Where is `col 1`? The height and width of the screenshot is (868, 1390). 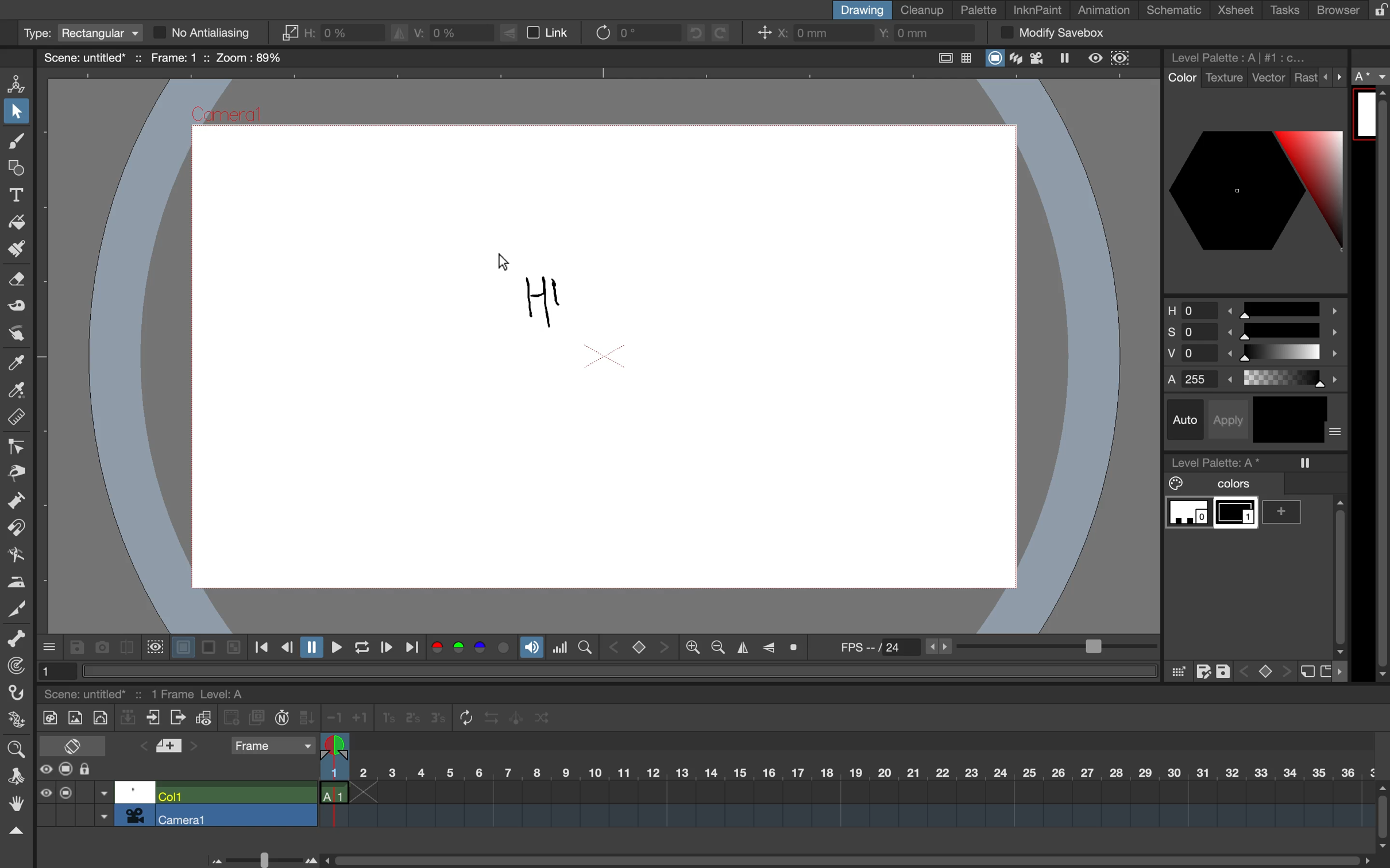 col 1 is located at coordinates (234, 795).